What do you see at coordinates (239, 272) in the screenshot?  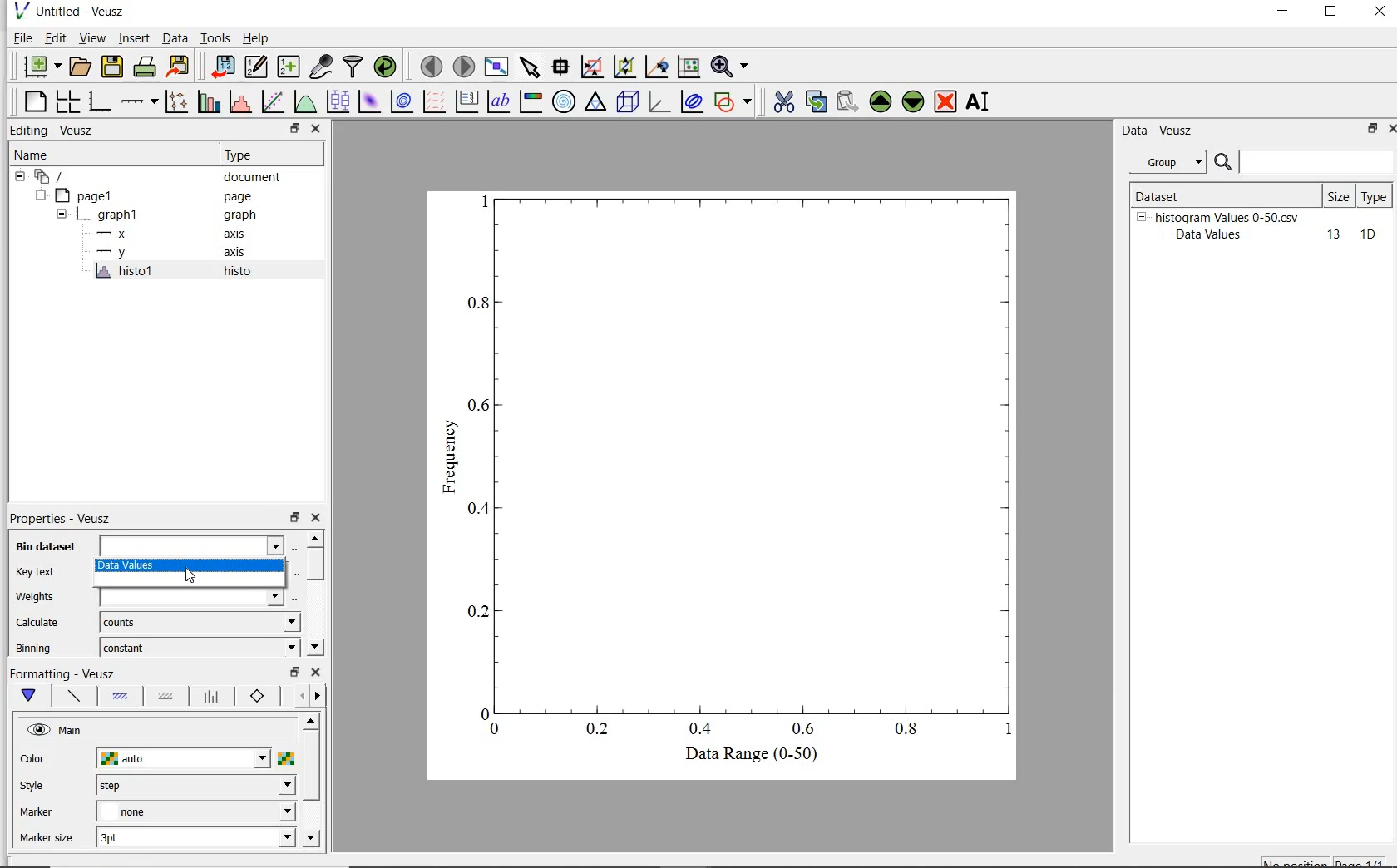 I see `histo` at bounding box center [239, 272].